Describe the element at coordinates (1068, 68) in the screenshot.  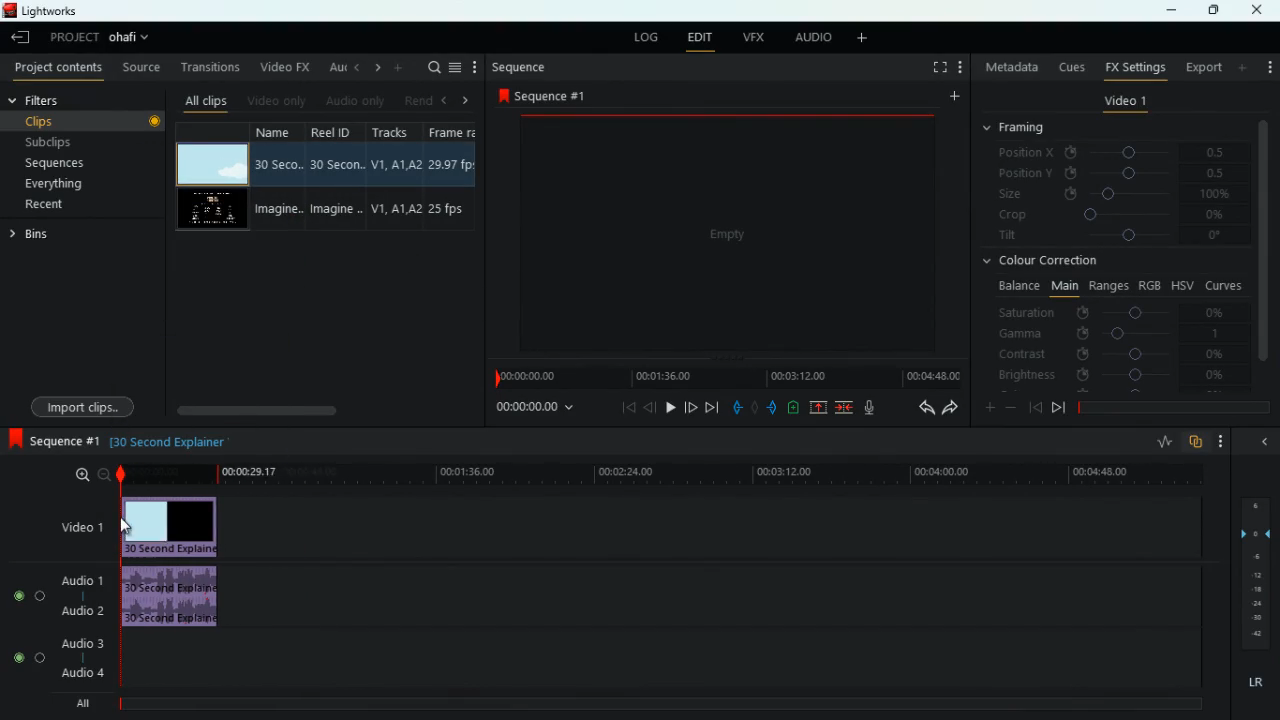
I see `cues` at that location.